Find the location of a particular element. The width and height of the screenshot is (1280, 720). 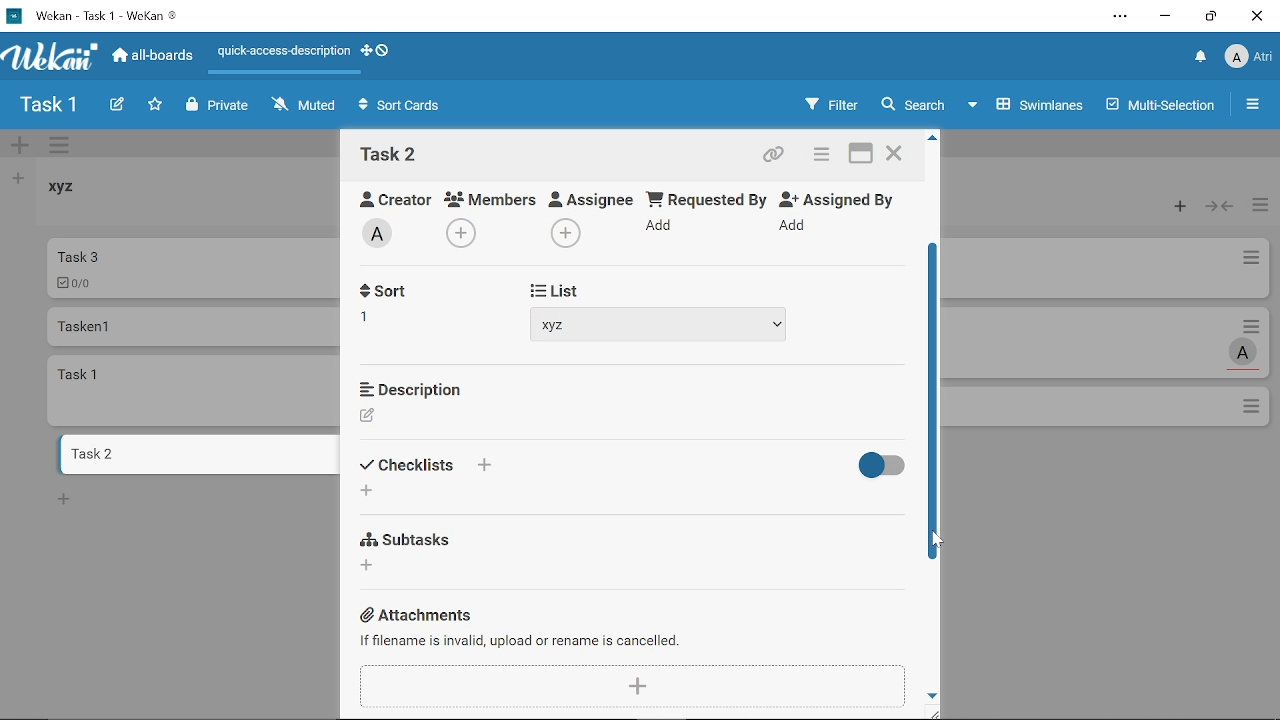

Card named "Tasken 1" is located at coordinates (192, 326).